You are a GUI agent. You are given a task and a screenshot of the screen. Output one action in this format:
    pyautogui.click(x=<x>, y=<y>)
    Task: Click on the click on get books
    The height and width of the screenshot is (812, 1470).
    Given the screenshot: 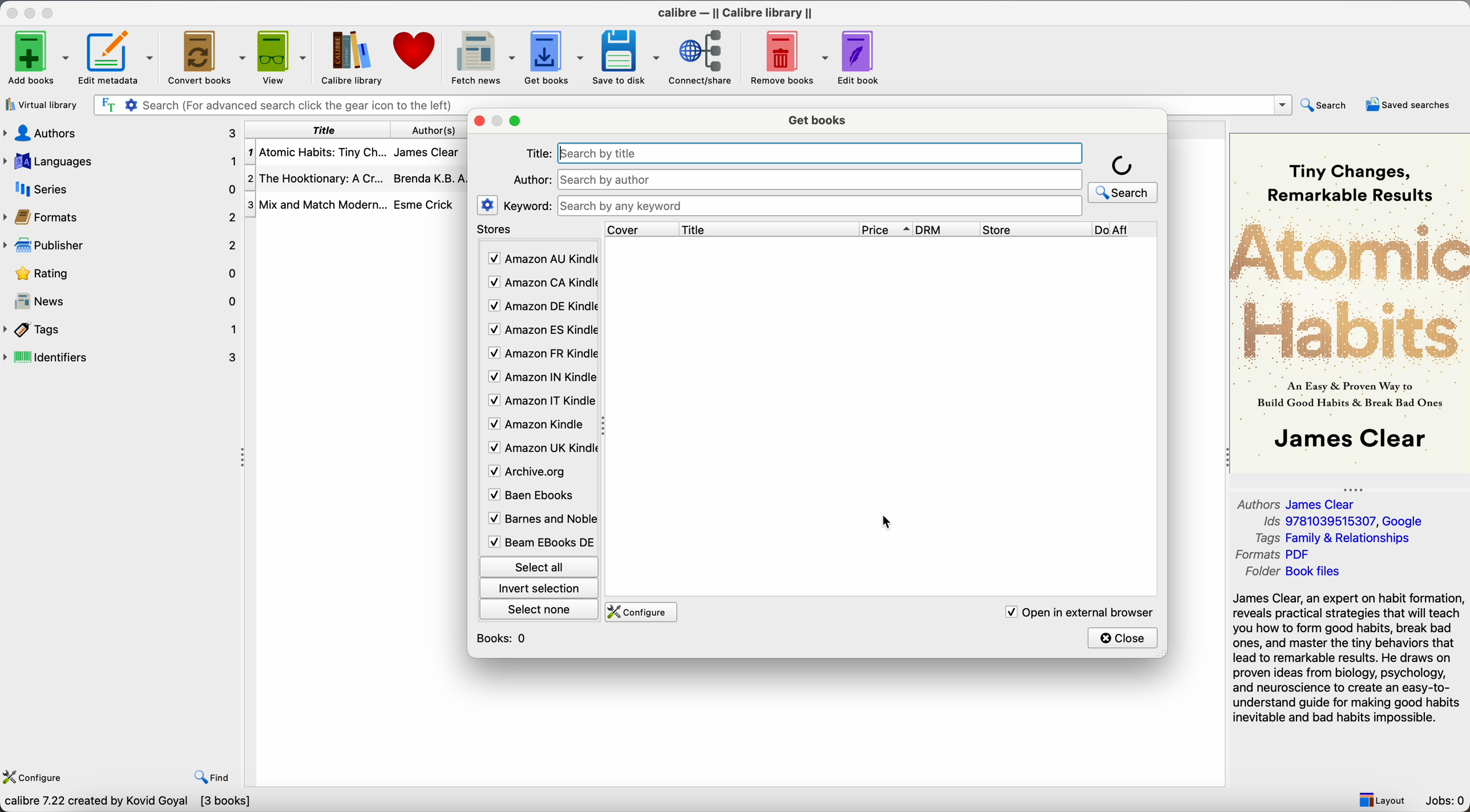 What is the action you would take?
    pyautogui.click(x=551, y=58)
    